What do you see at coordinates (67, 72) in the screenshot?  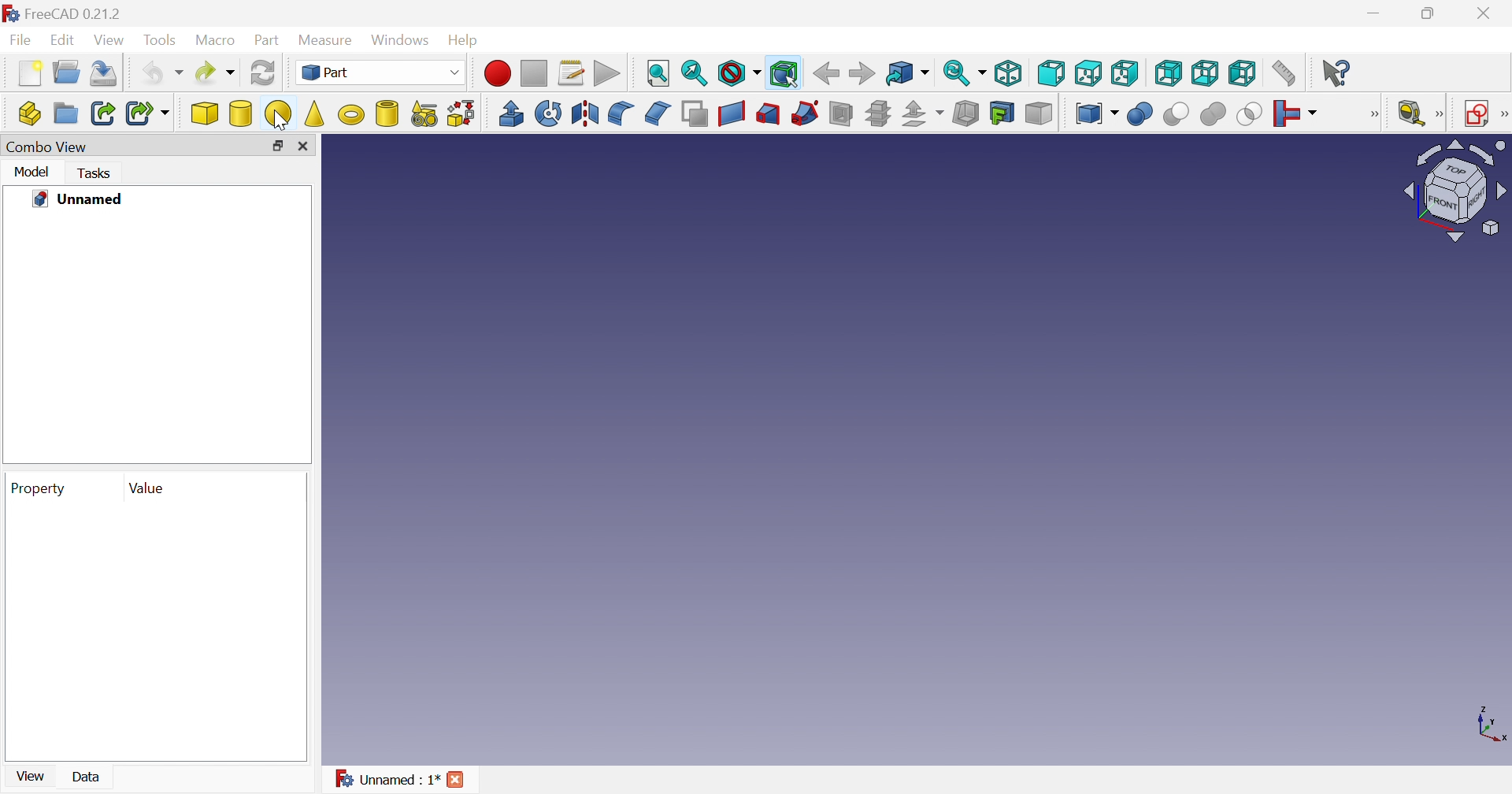 I see `Open` at bounding box center [67, 72].